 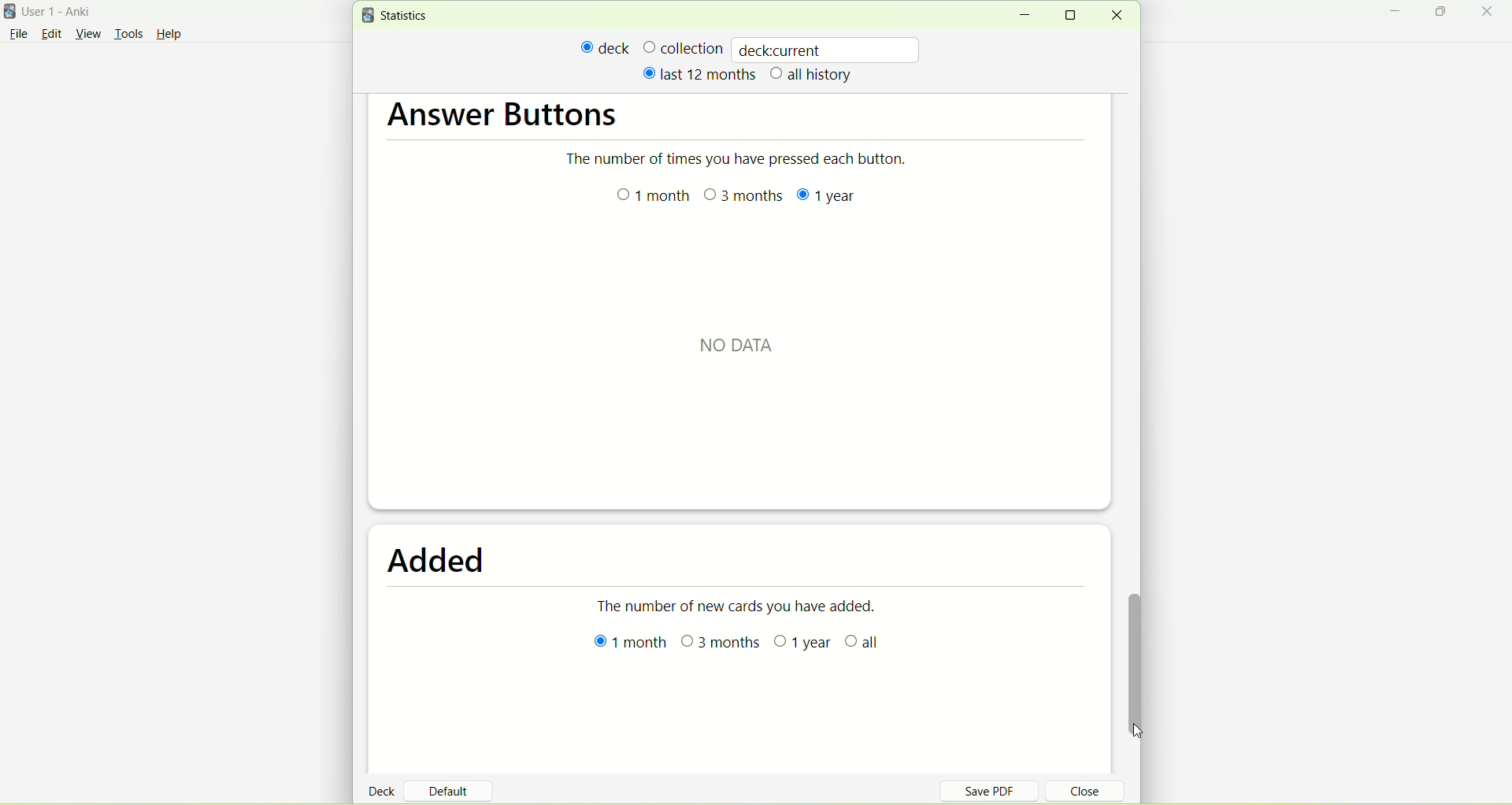 What do you see at coordinates (1136, 736) in the screenshot?
I see `cursor` at bounding box center [1136, 736].